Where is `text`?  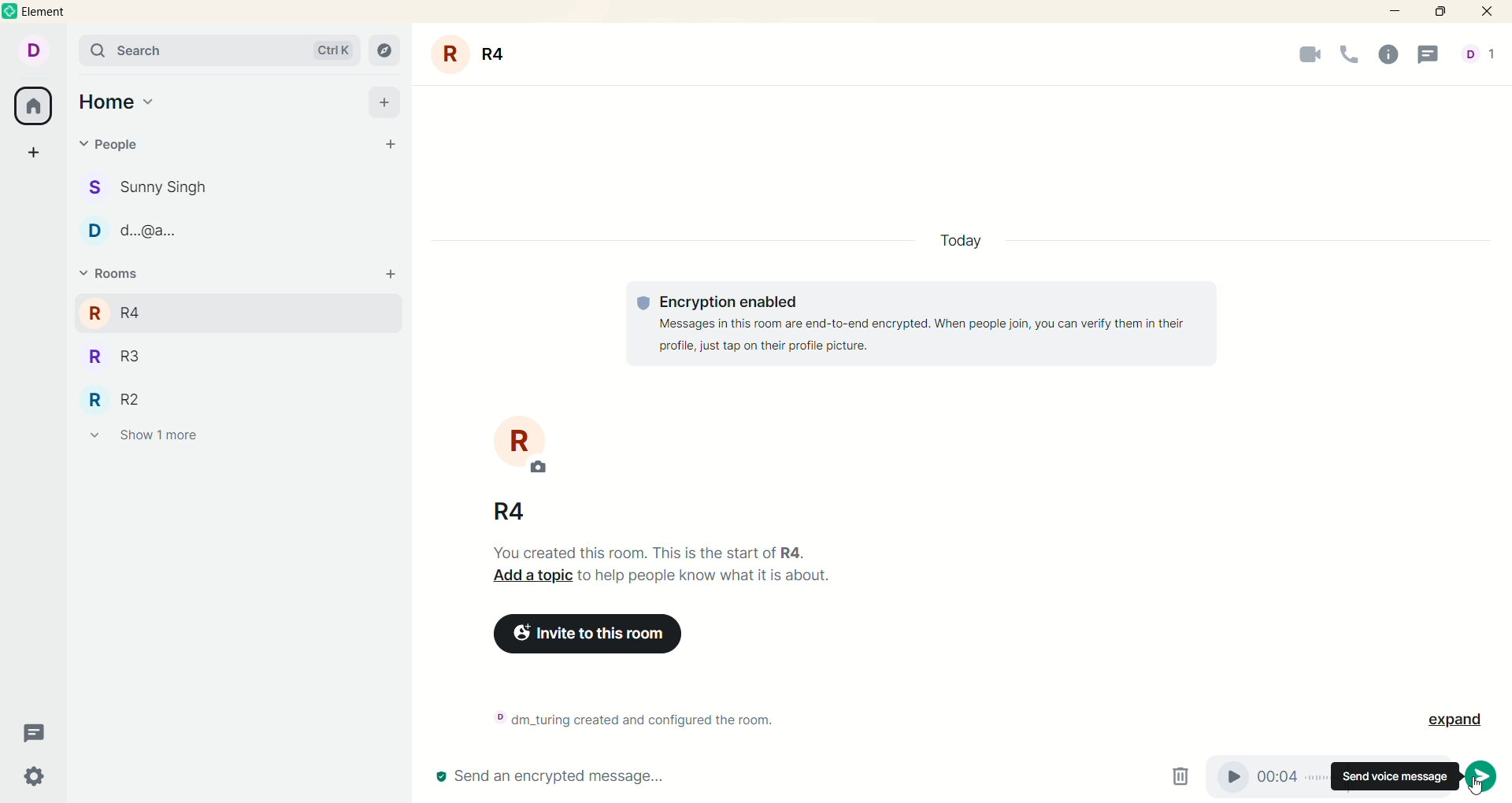 text is located at coordinates (643, 717).